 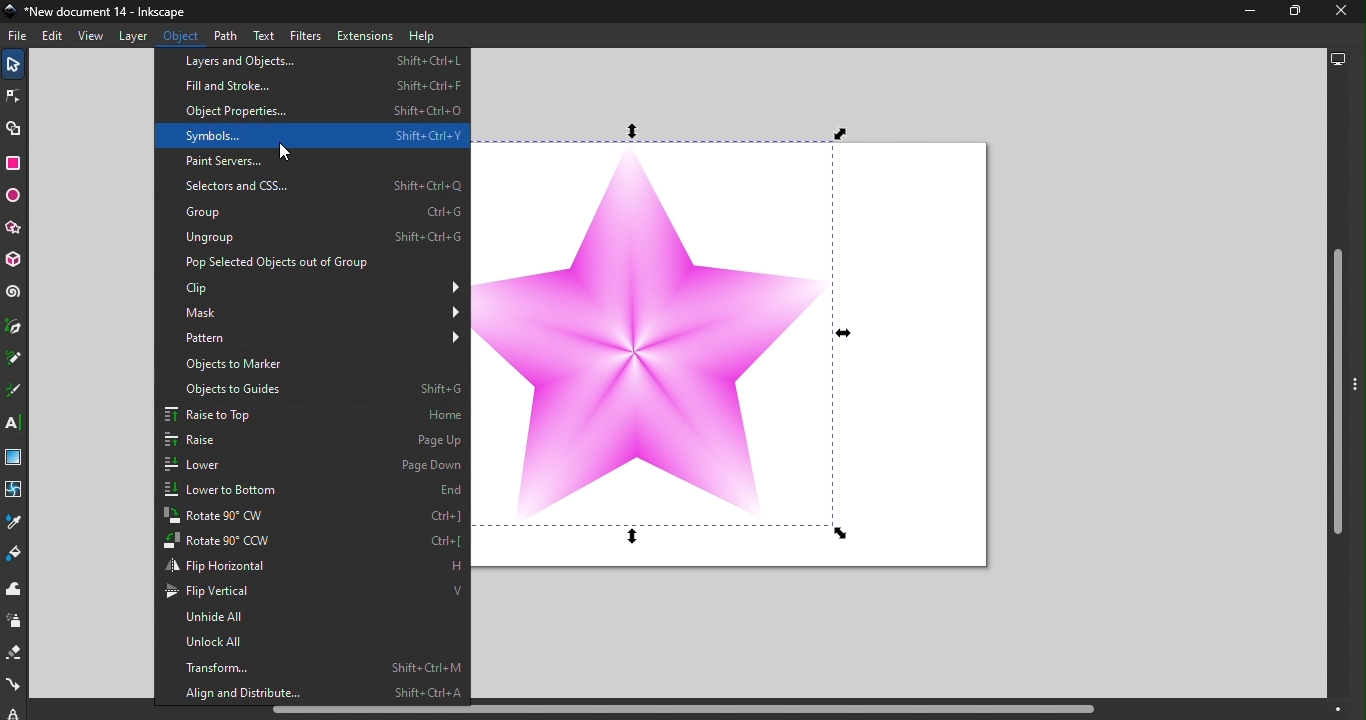 What do you see at coordinates (10, 712) in the screenshot?
I see `lpe` at bounding box center [10, 712].